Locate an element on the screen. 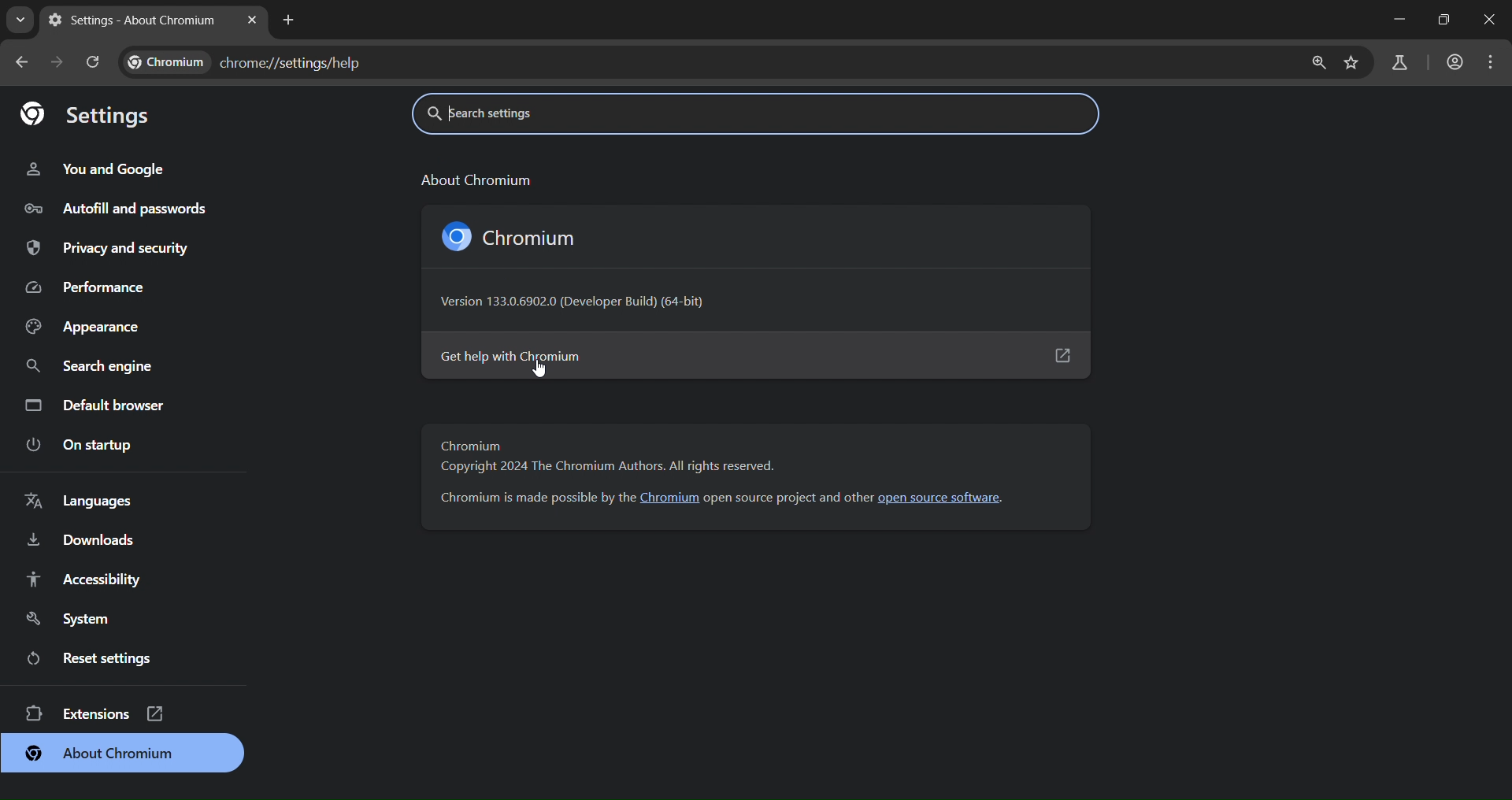 This screenshot has height=800, width=1512. menu is located at coordinates (1489, 61).